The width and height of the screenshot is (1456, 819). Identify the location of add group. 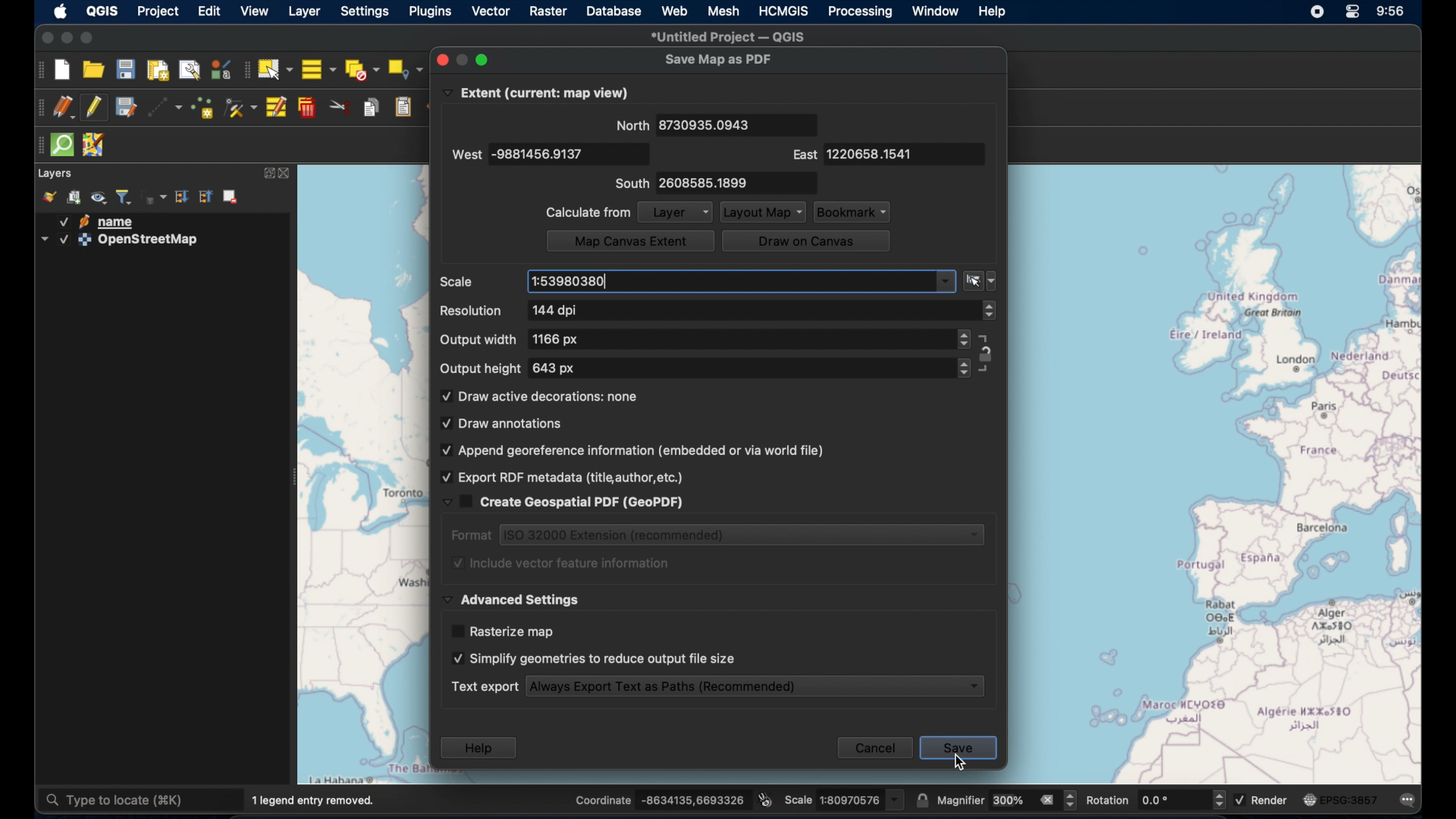
(77, 197).